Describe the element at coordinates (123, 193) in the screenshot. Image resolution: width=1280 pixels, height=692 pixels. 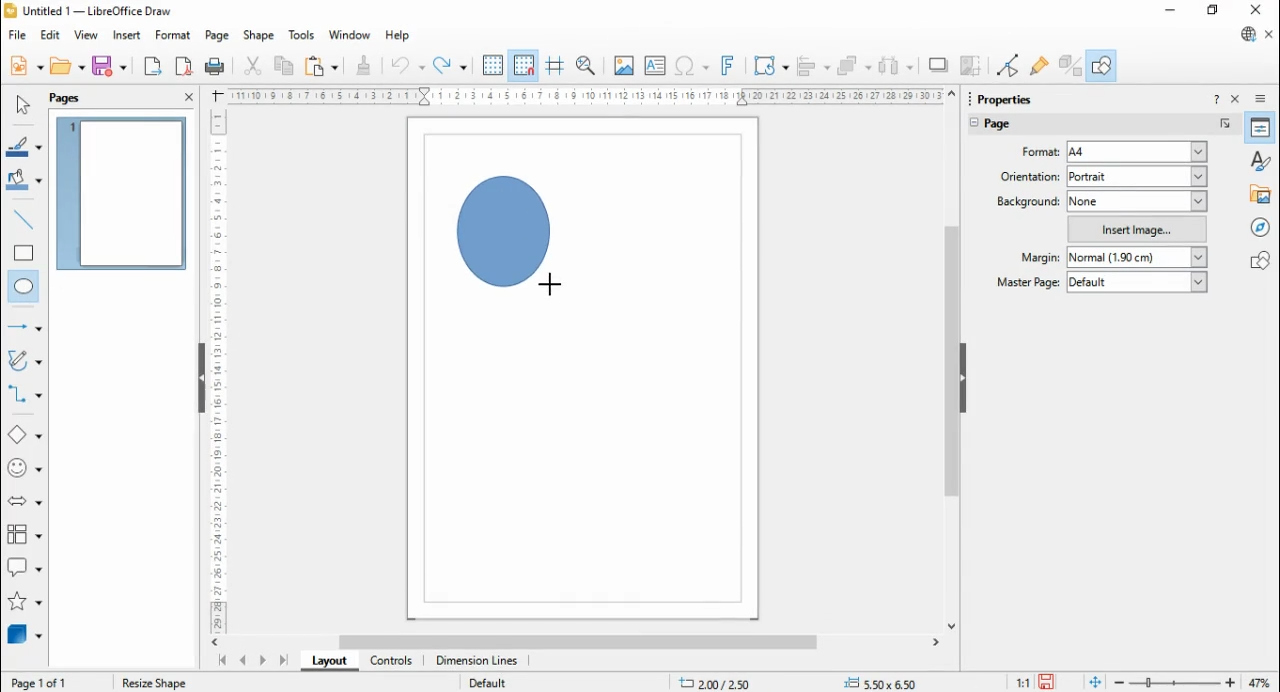
I see `page 1` at that location.